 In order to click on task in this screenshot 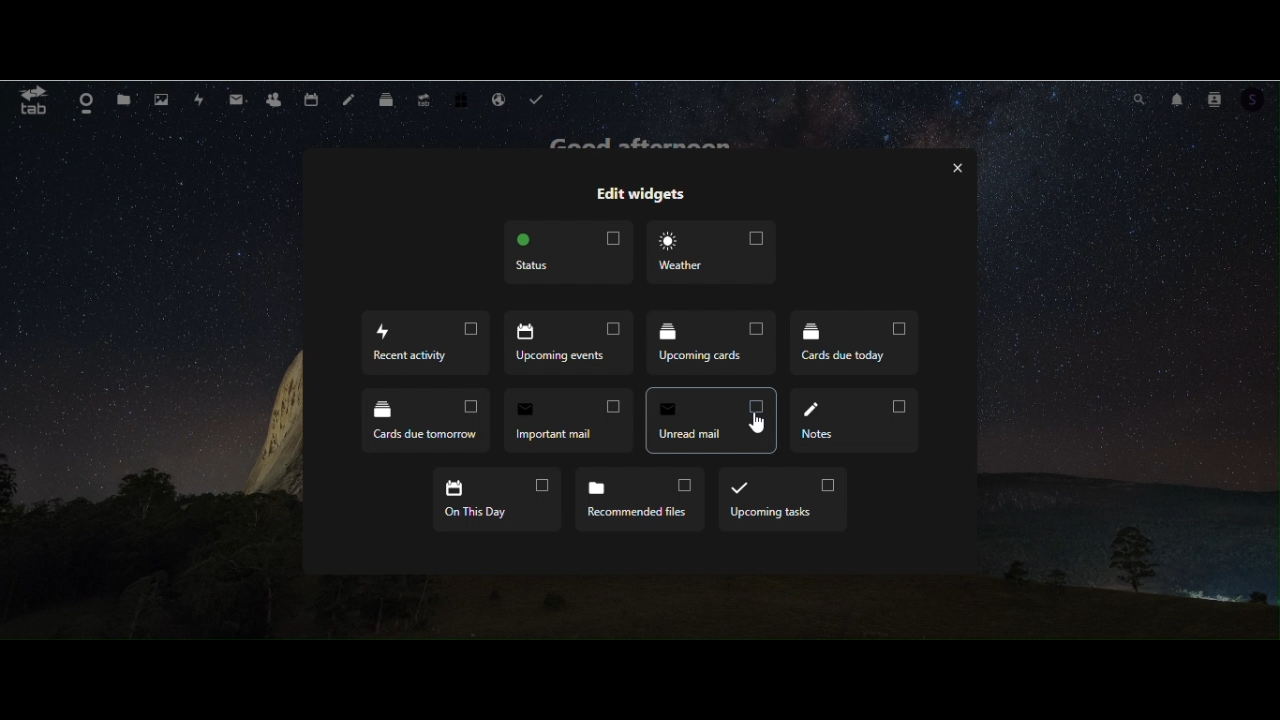, I will do `click(540, 98)`.